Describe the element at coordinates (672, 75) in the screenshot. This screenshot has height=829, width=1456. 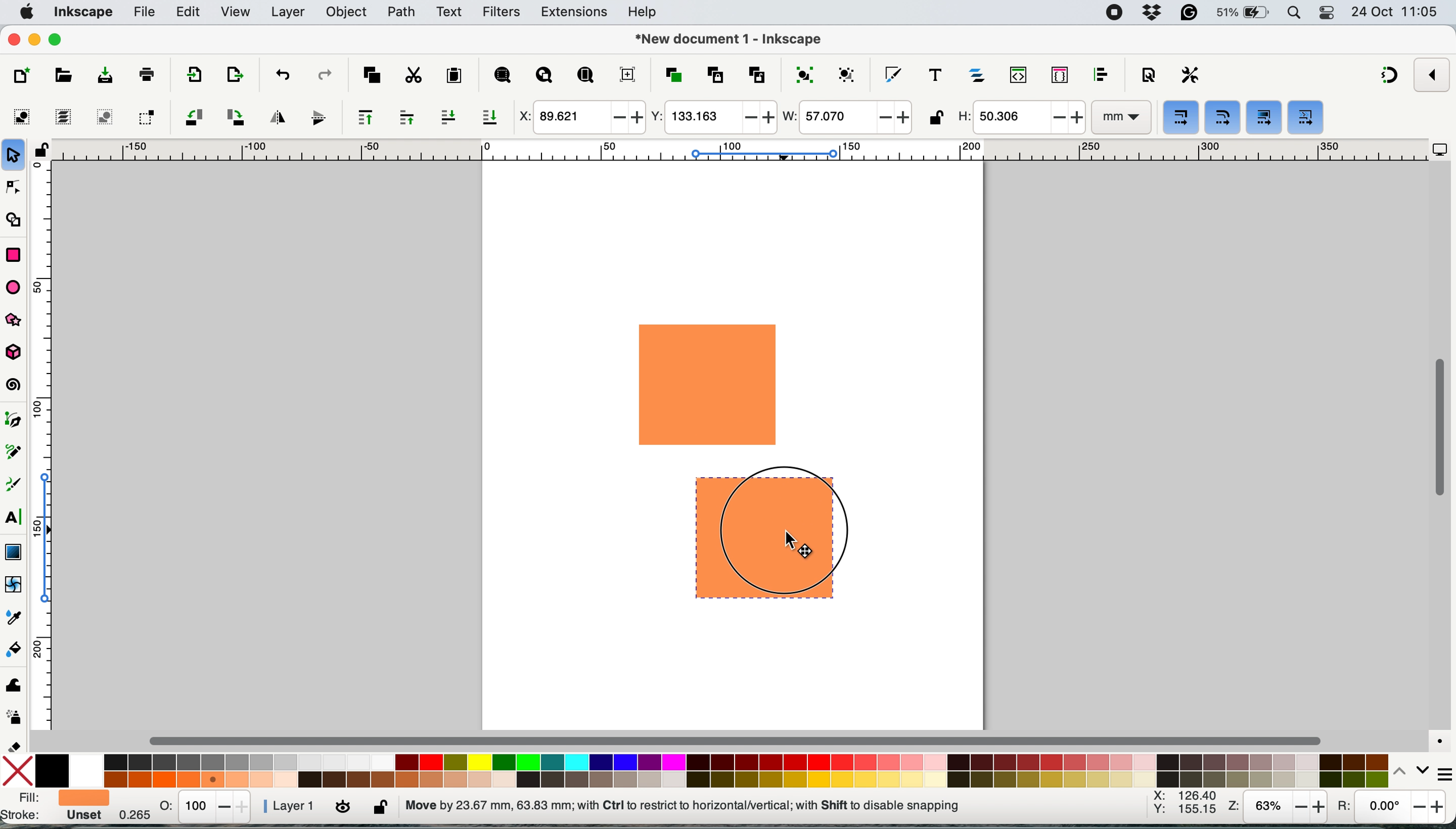
I see `duplicate` at that location.